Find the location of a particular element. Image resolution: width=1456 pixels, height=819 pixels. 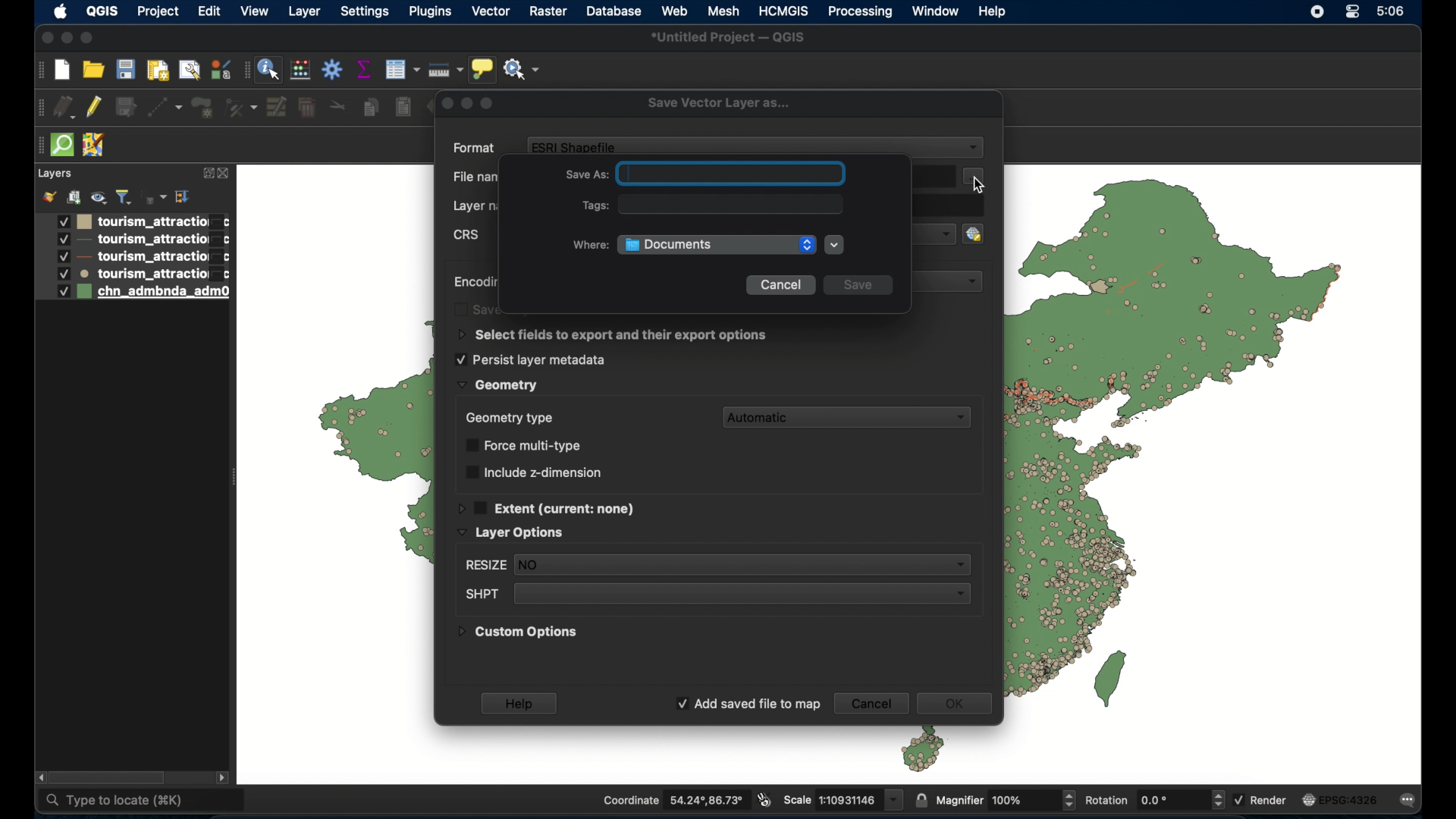

obscured text is located at coordinates (478, 309).